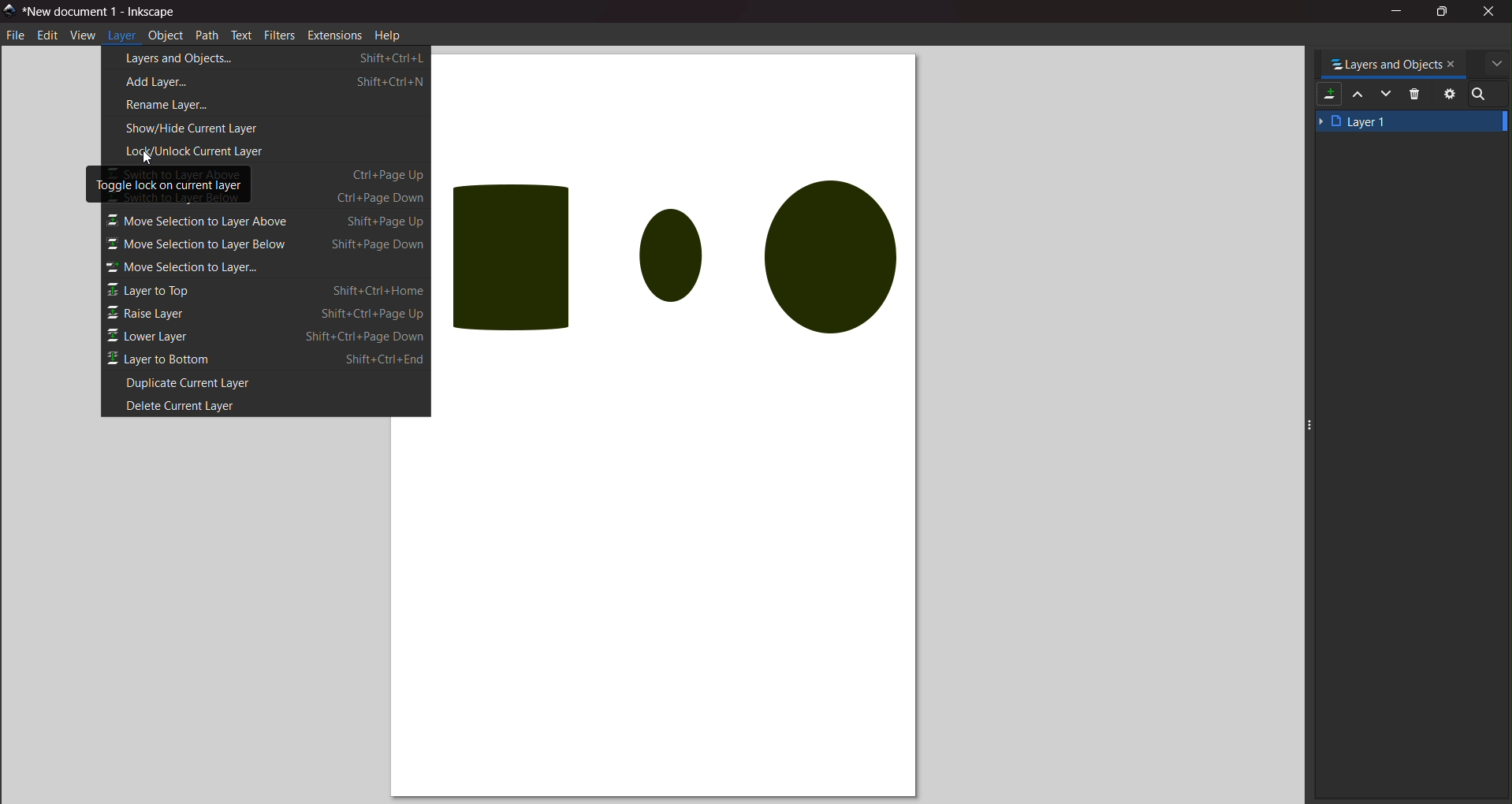 The image size is (1512, 804). Describe the element at coordinates (1449, 94) in the screenshot. I see `setting` at that location.